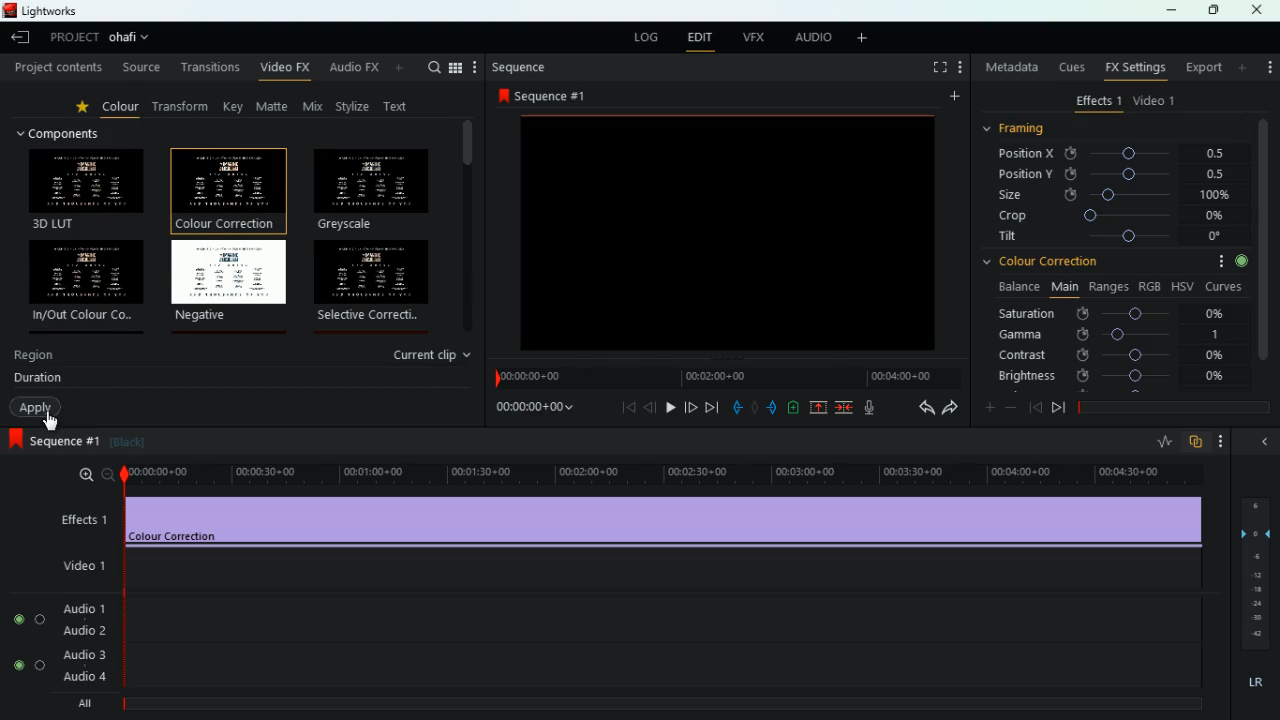  What do you see at coordinates (36, 408) in the screenshot?
I see `apply` at bounding box center [36, 408].